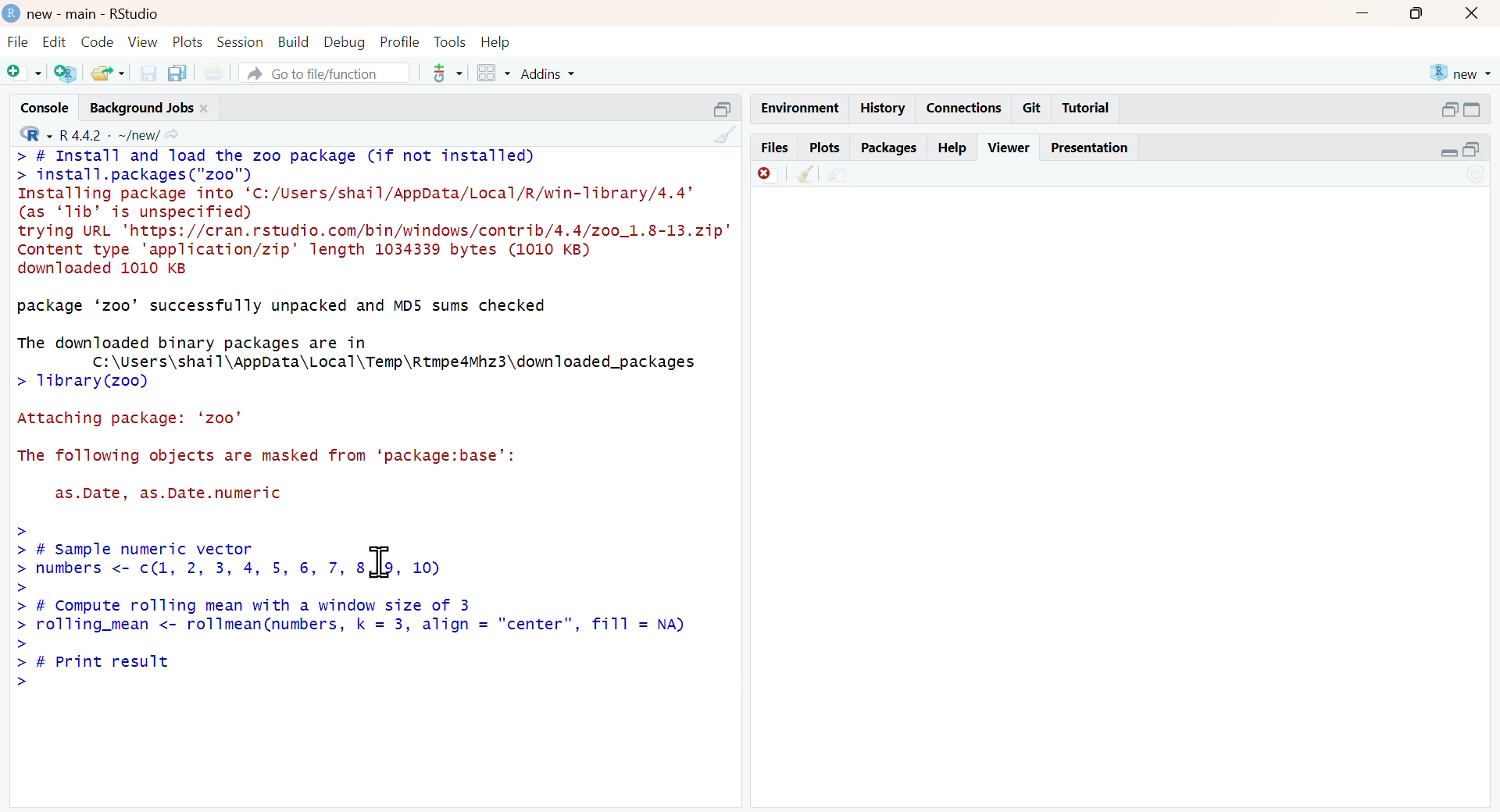  What do you see at coordinates (346, 43) in the screenshot?
I see `debug` at bounding box center [346, 43].